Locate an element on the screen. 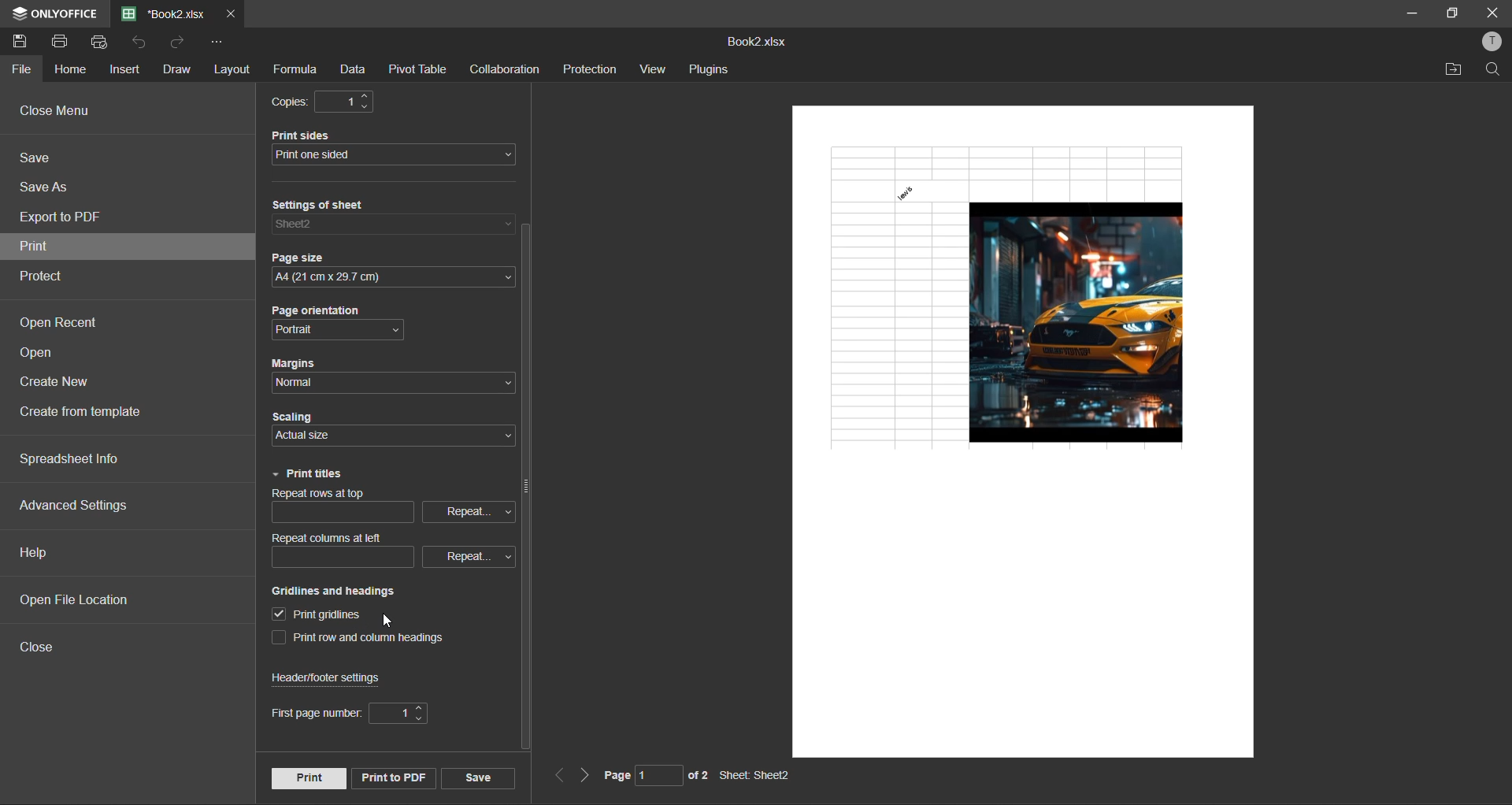  gridlines added is located at coordinates (1019, 303).